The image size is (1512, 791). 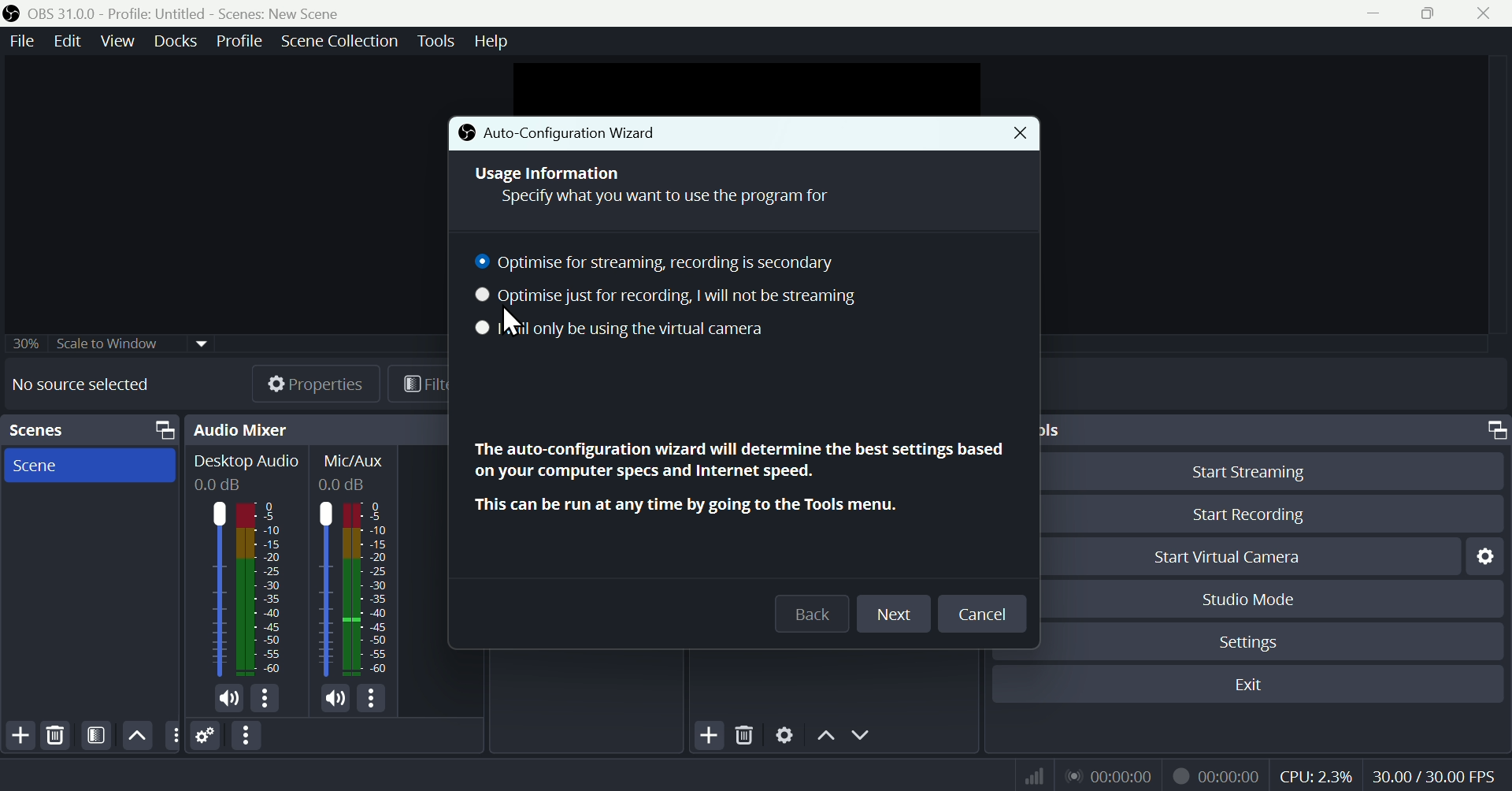 What do you see at coordinates (1315, 774) in the screenshot?
I see `CPU` at bounding box center [1315, 774].